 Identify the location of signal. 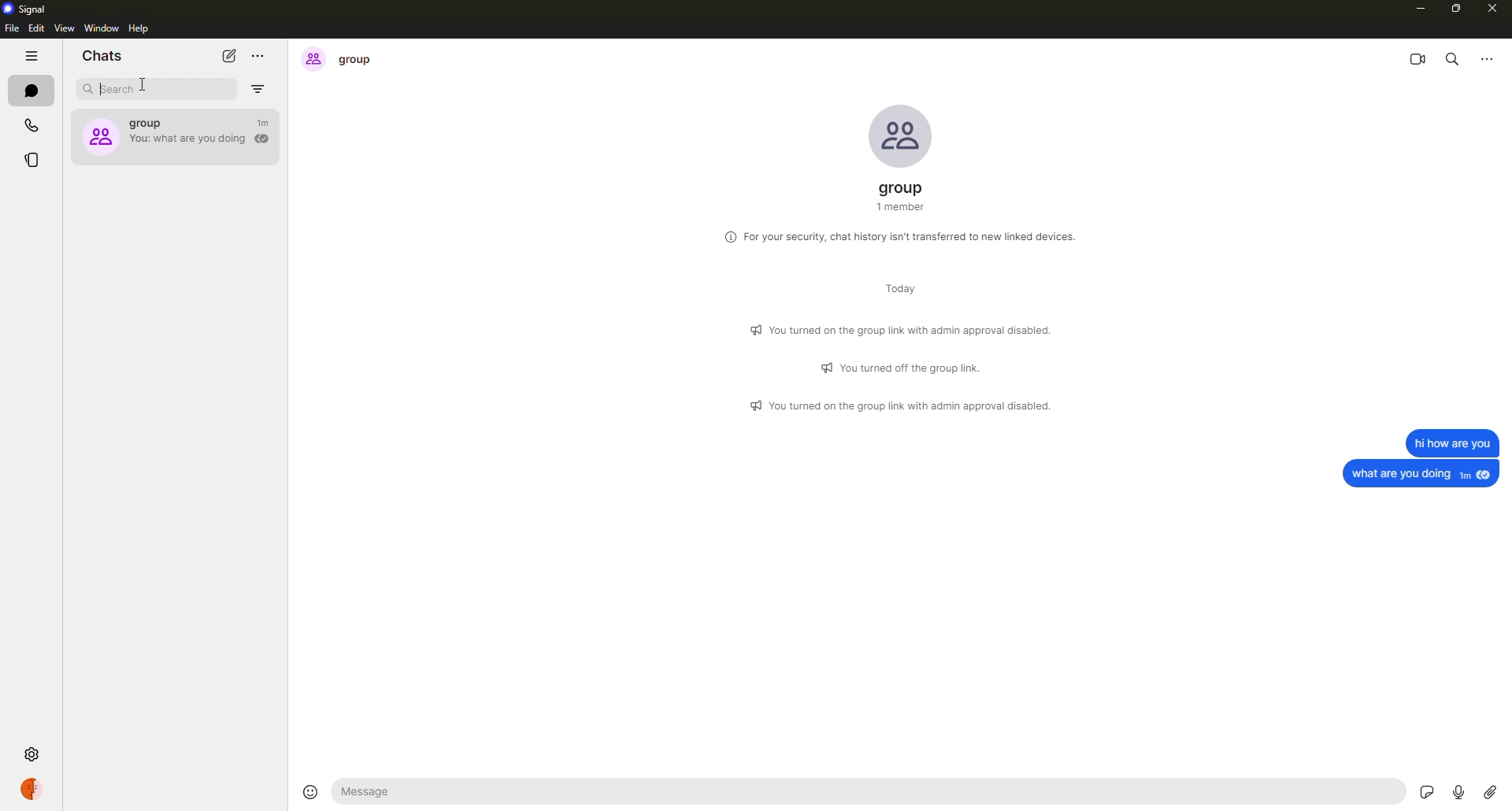
(28, 9).